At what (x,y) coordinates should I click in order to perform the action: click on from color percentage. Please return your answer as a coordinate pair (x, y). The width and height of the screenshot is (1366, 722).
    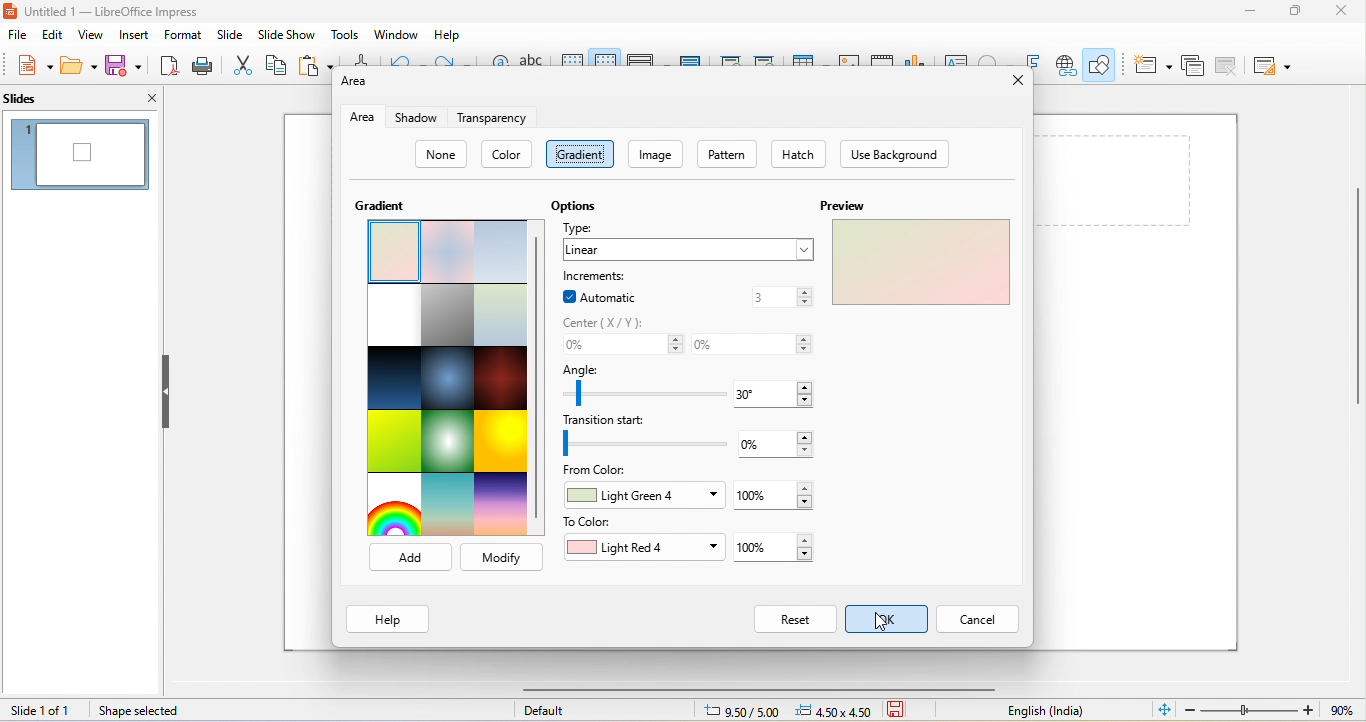
    Looking at the image, I should click on (754, 497).